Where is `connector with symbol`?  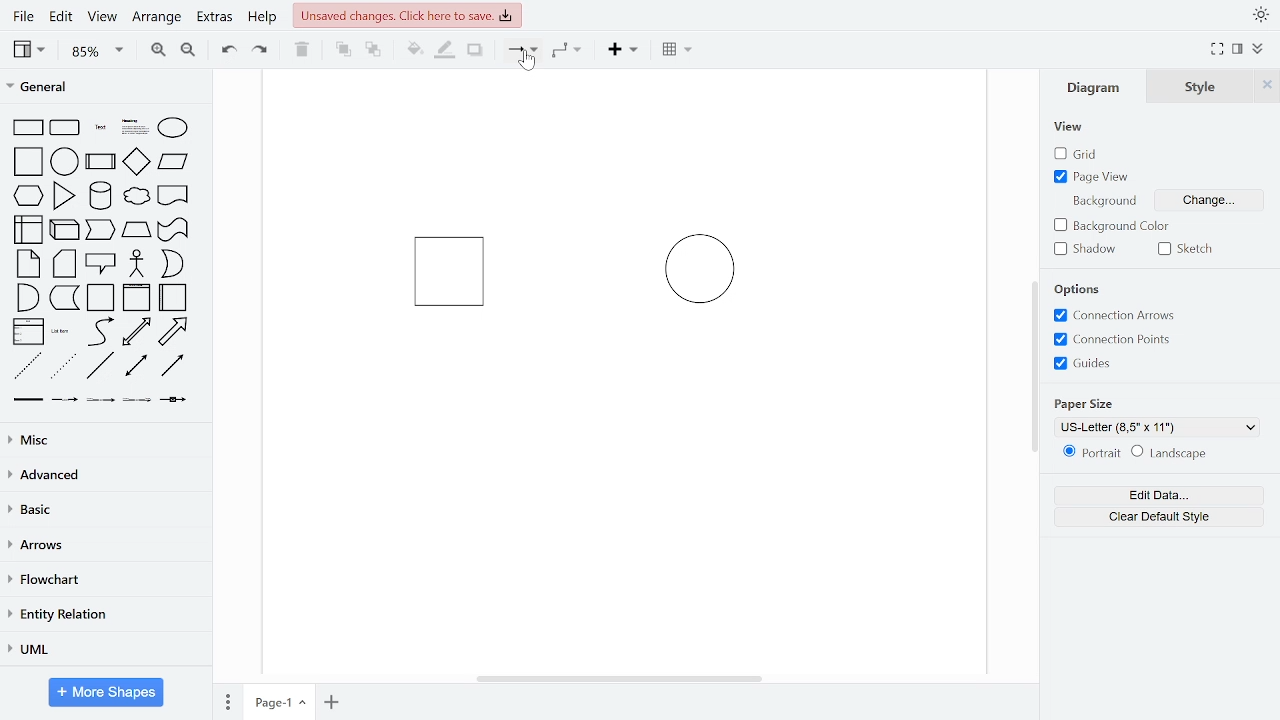 connector with symbol is located at coordinates (176, 398).